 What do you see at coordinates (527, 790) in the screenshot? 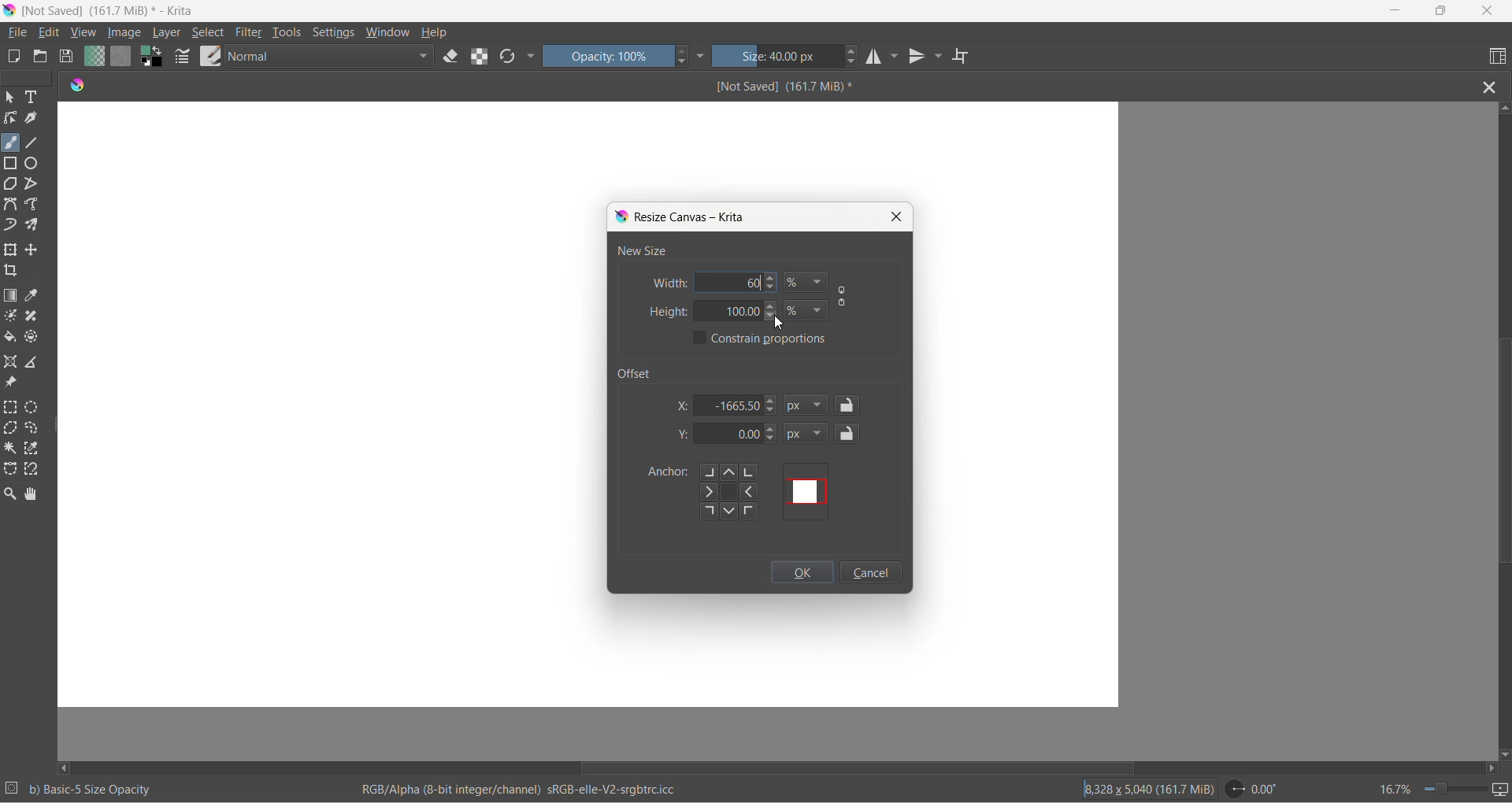
I see `rgb information` at bounding box center [527, 790].